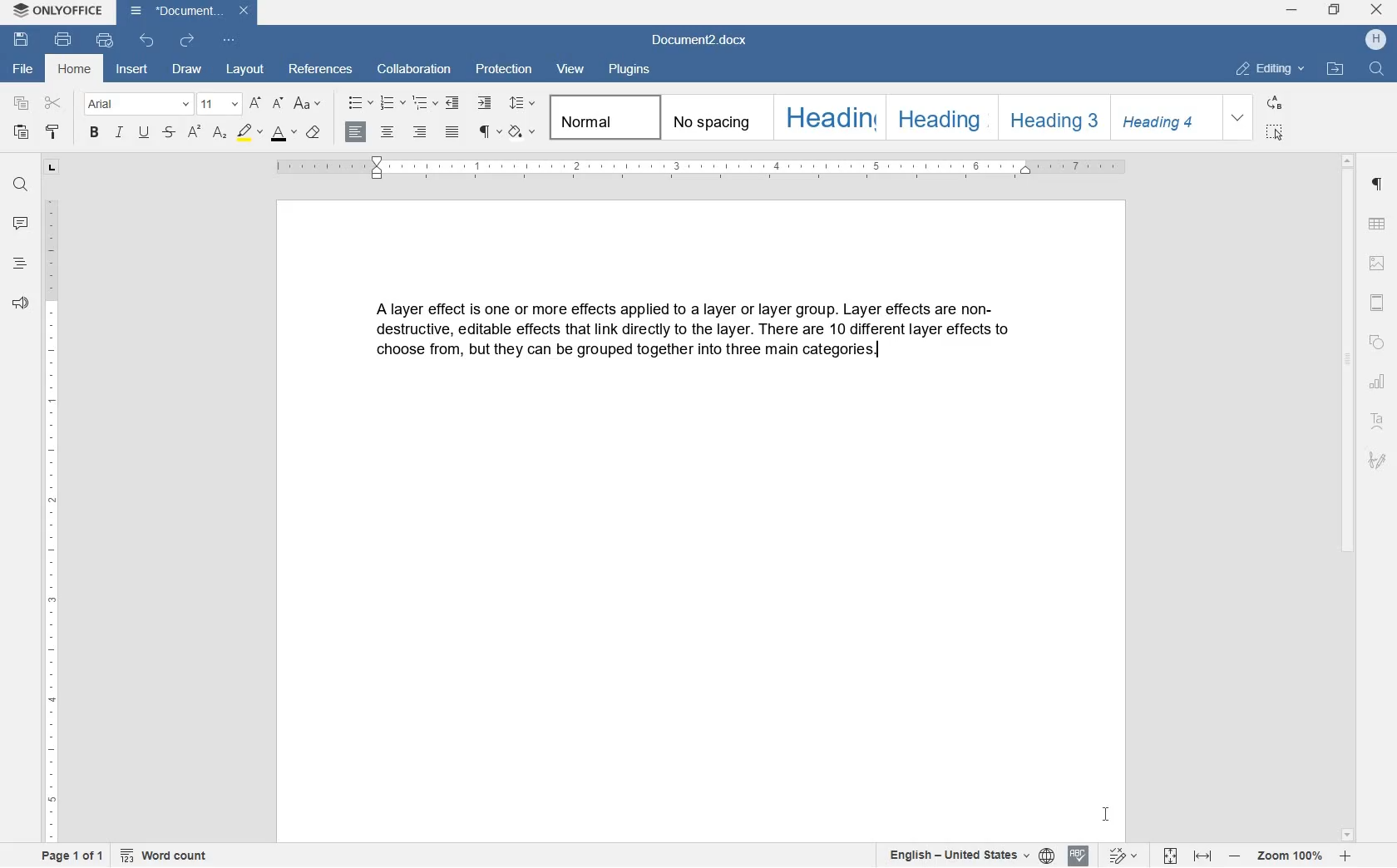 Image resolution: width=1397 pixels, height=868 pixels. Describe the element at coordinates (250, 131) in the screenshot. I see `HIGHLIGHT COLOR` at that location.